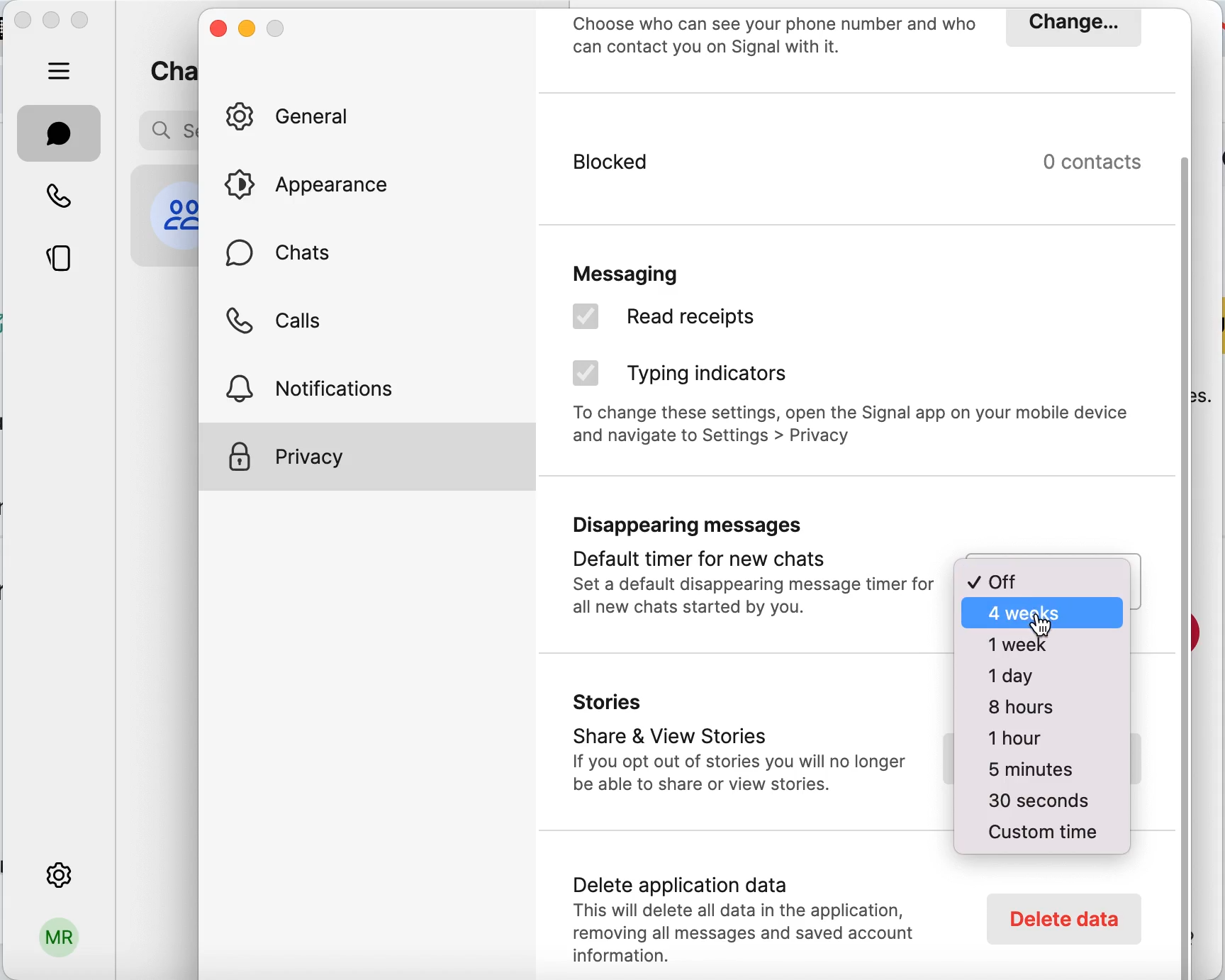  Describe the element at coordinates (247, 30) in the screenshot. I see `minimize` at that location.